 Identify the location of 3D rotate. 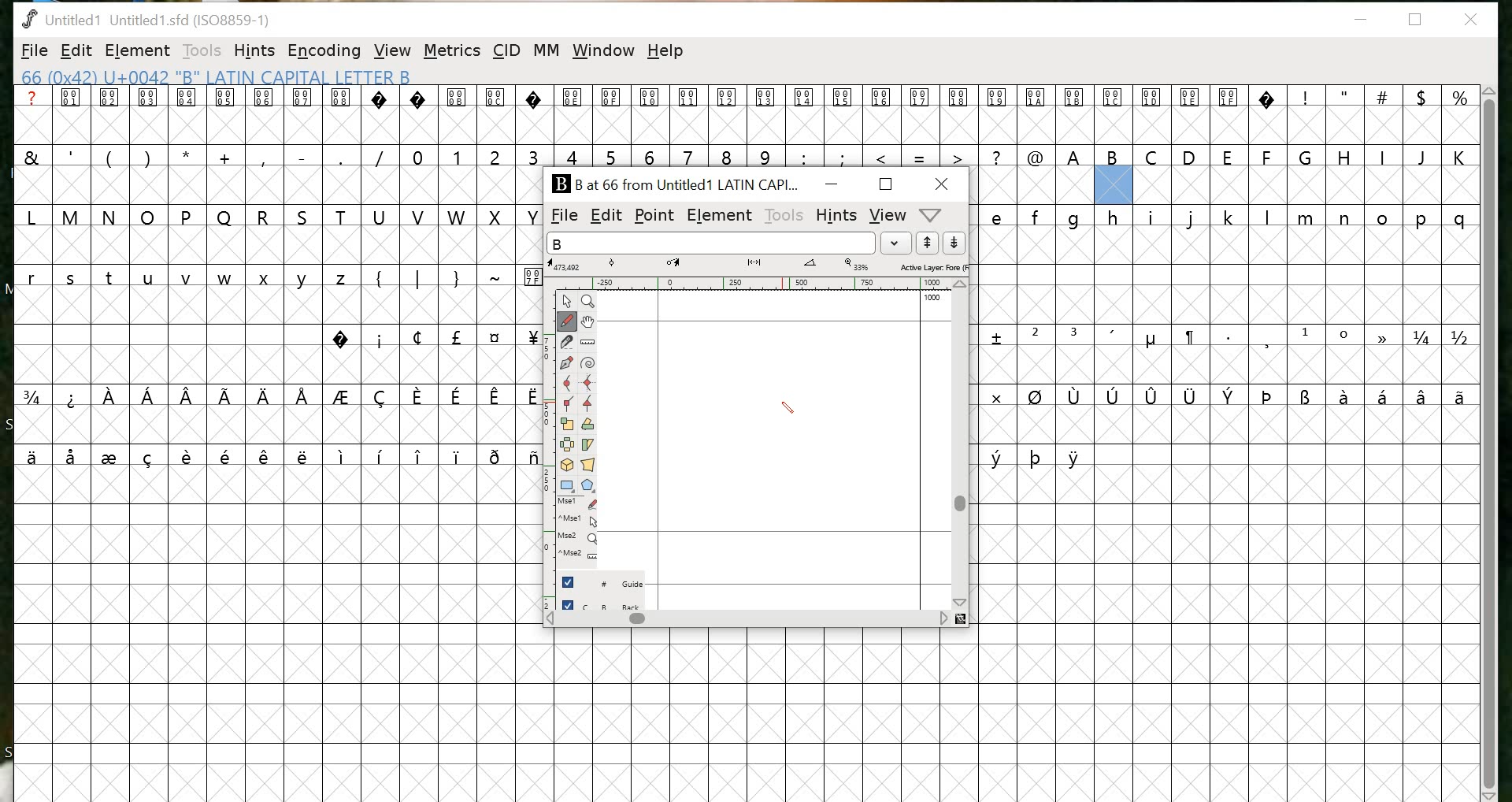
(568, 467).